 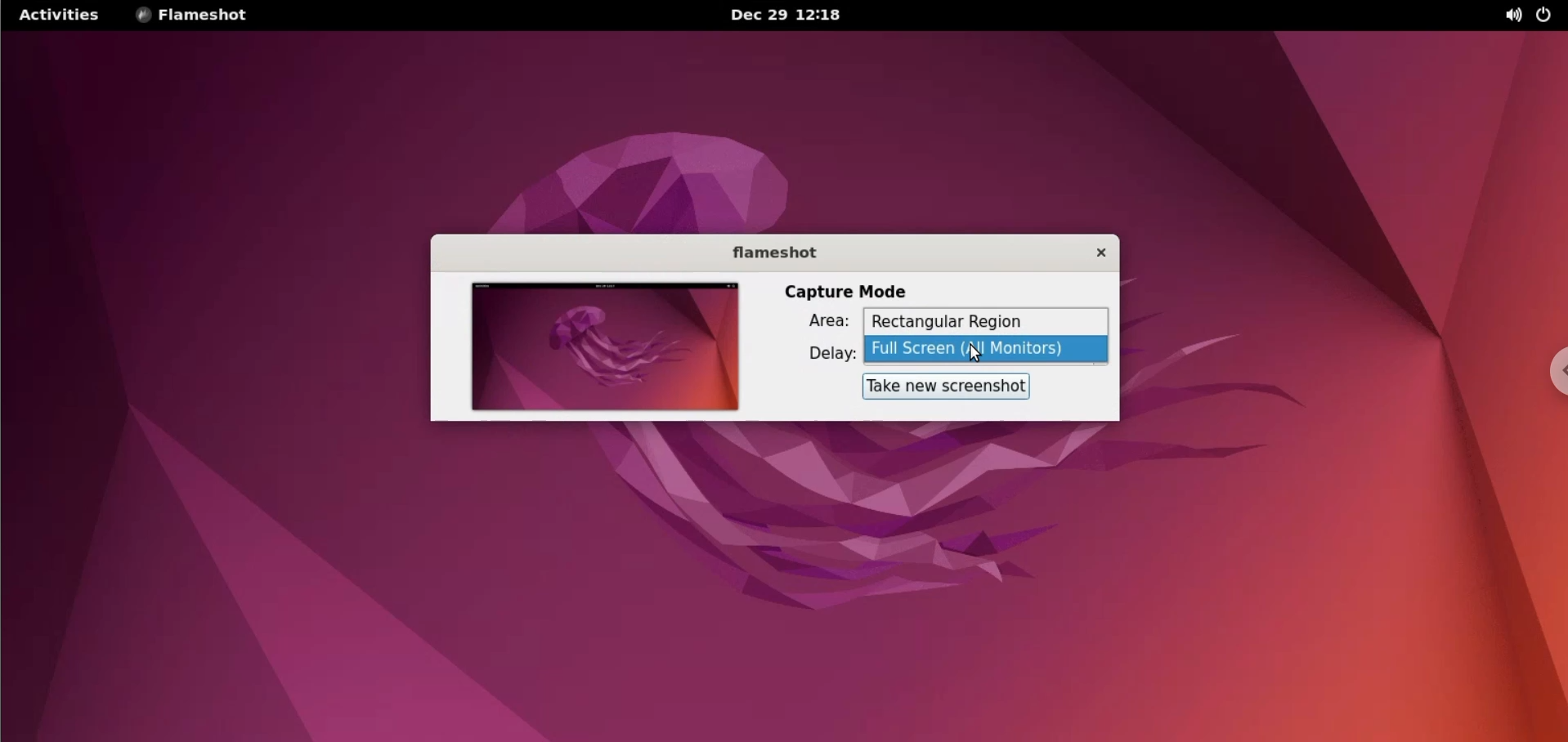 What do you see at coordinates (198, 16) in the screenshot?
I see `flameshot options` at bounding box center [198, 16].